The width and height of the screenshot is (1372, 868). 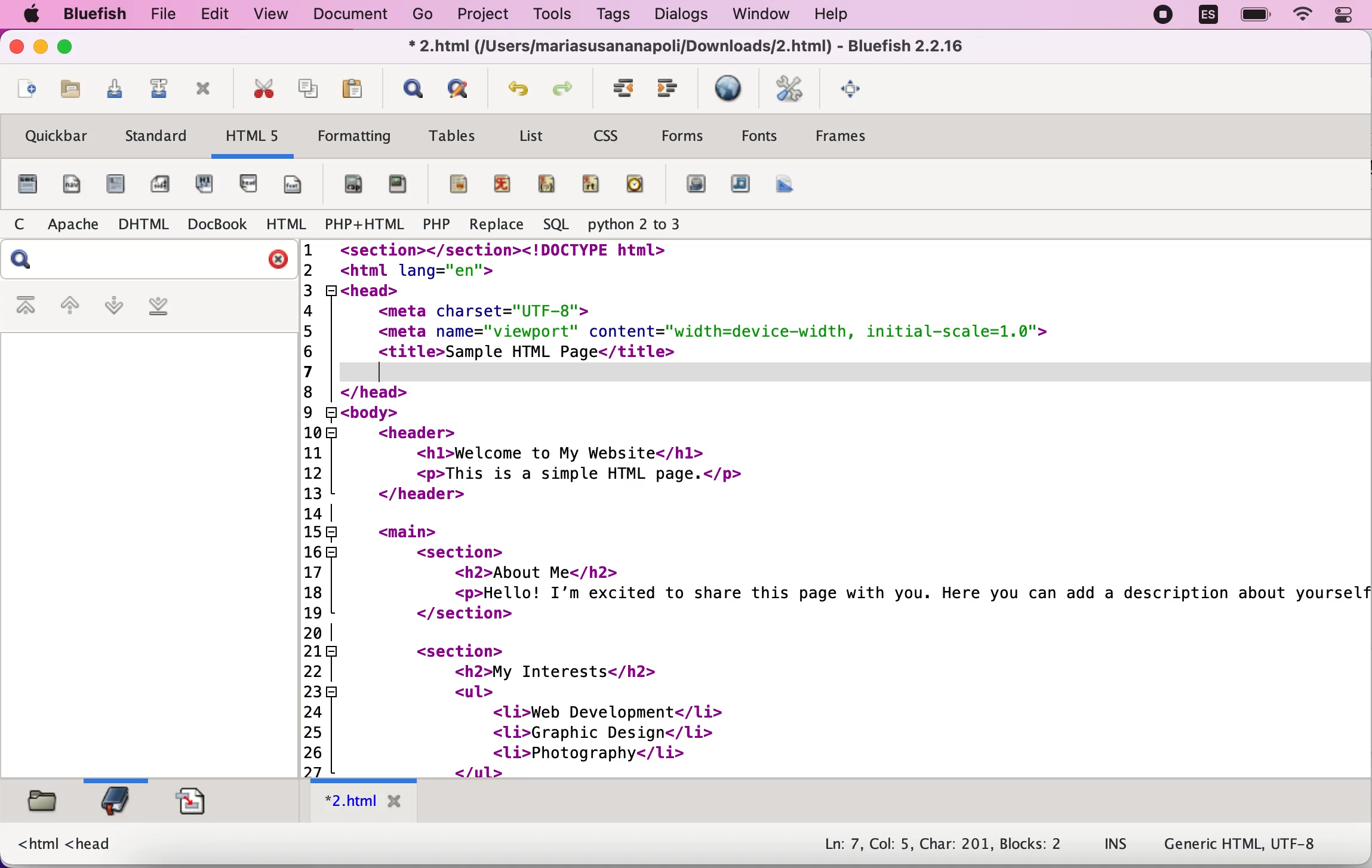 What do you see at coordinates (690, 45) in the screenshot?
I see `Z.nimi (jusers/mariasusananapolijoownioads/<z.ntmi) - siuerisn 2.2.10` at bounding box center [690, 45].